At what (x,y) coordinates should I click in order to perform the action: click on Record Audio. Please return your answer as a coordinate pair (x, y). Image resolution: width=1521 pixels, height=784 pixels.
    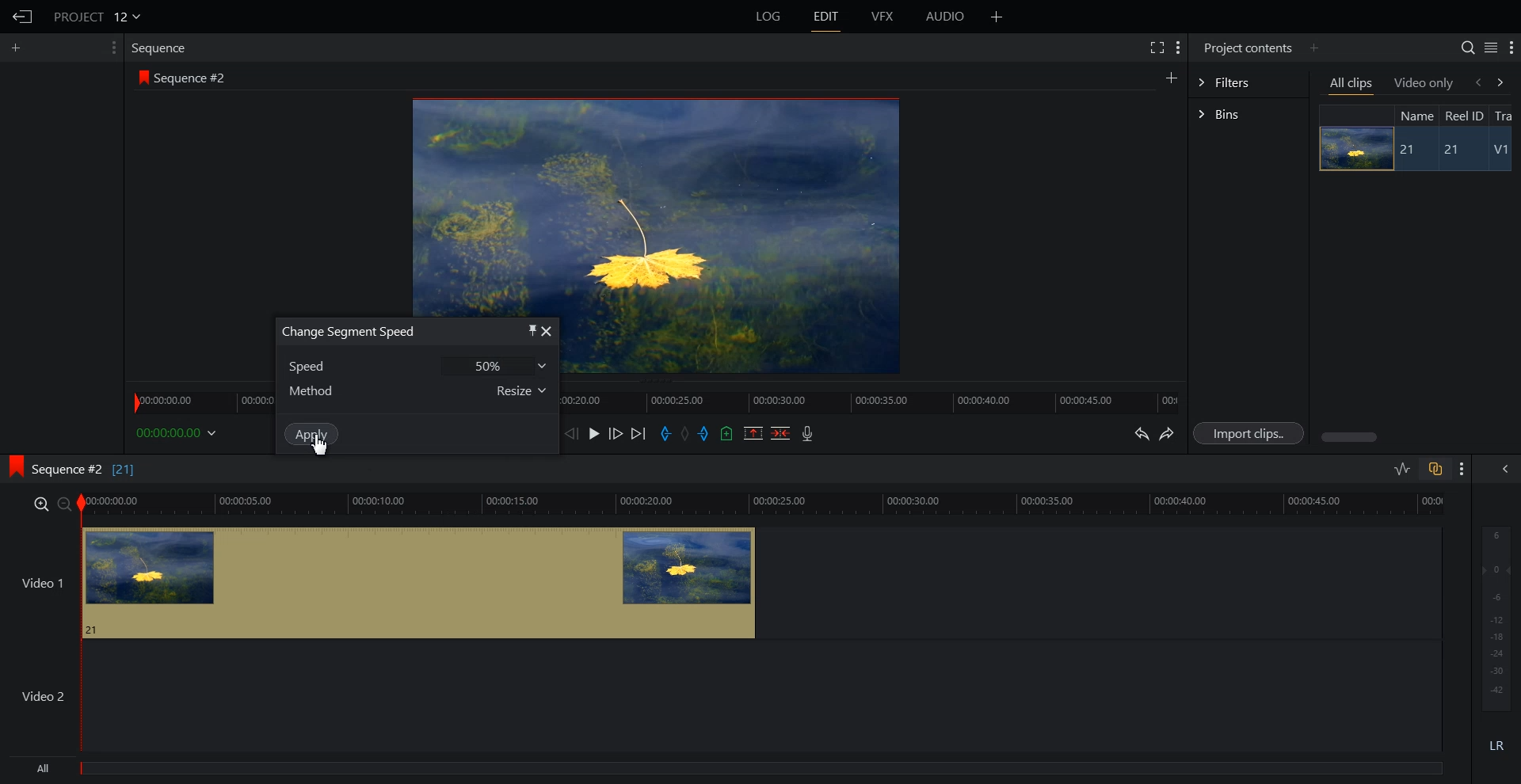
    Looking at the image, I should click on (806, 433).